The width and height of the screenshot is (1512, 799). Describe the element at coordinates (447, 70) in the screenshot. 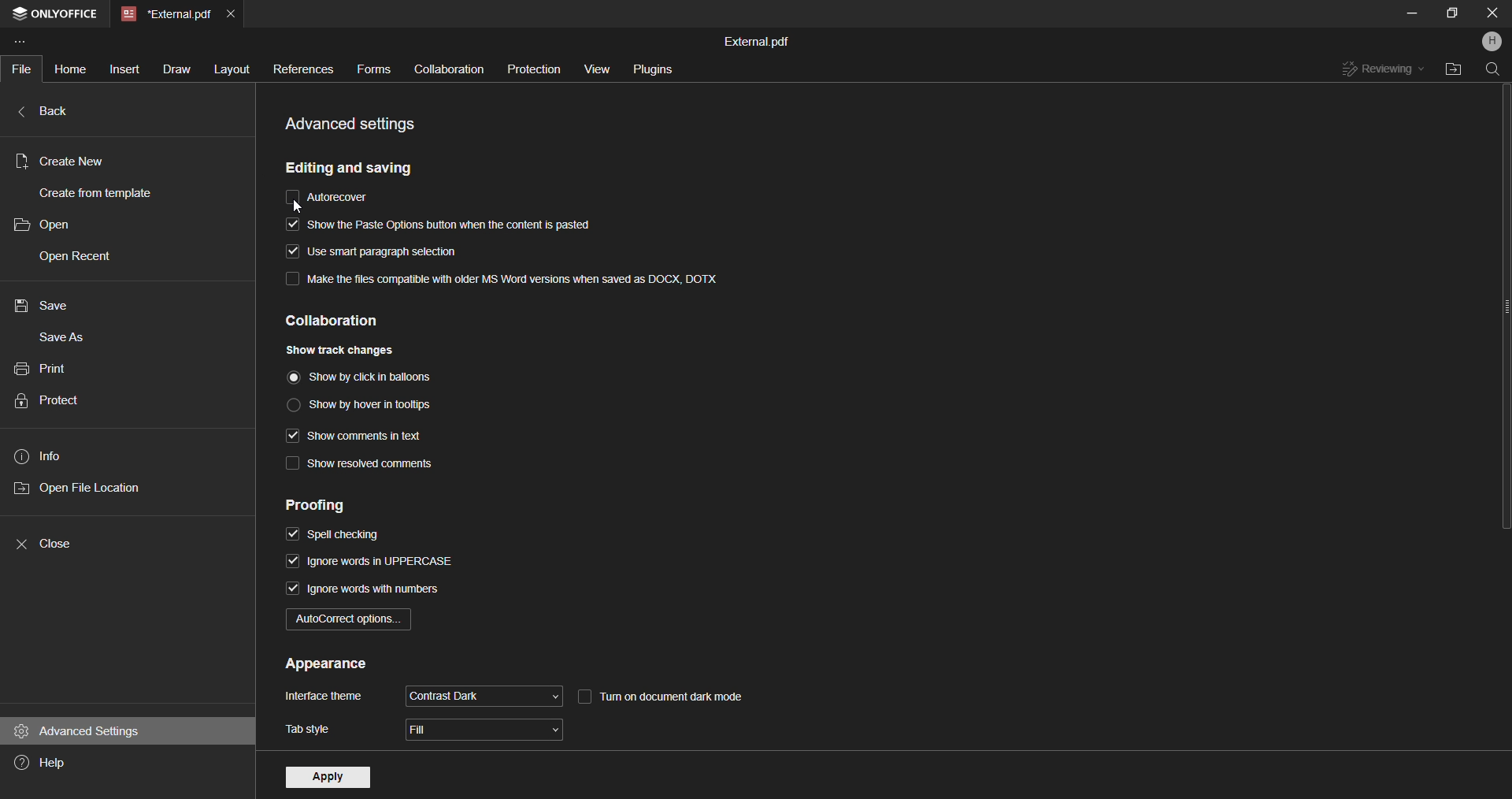

I see `Collaboration` at that location.